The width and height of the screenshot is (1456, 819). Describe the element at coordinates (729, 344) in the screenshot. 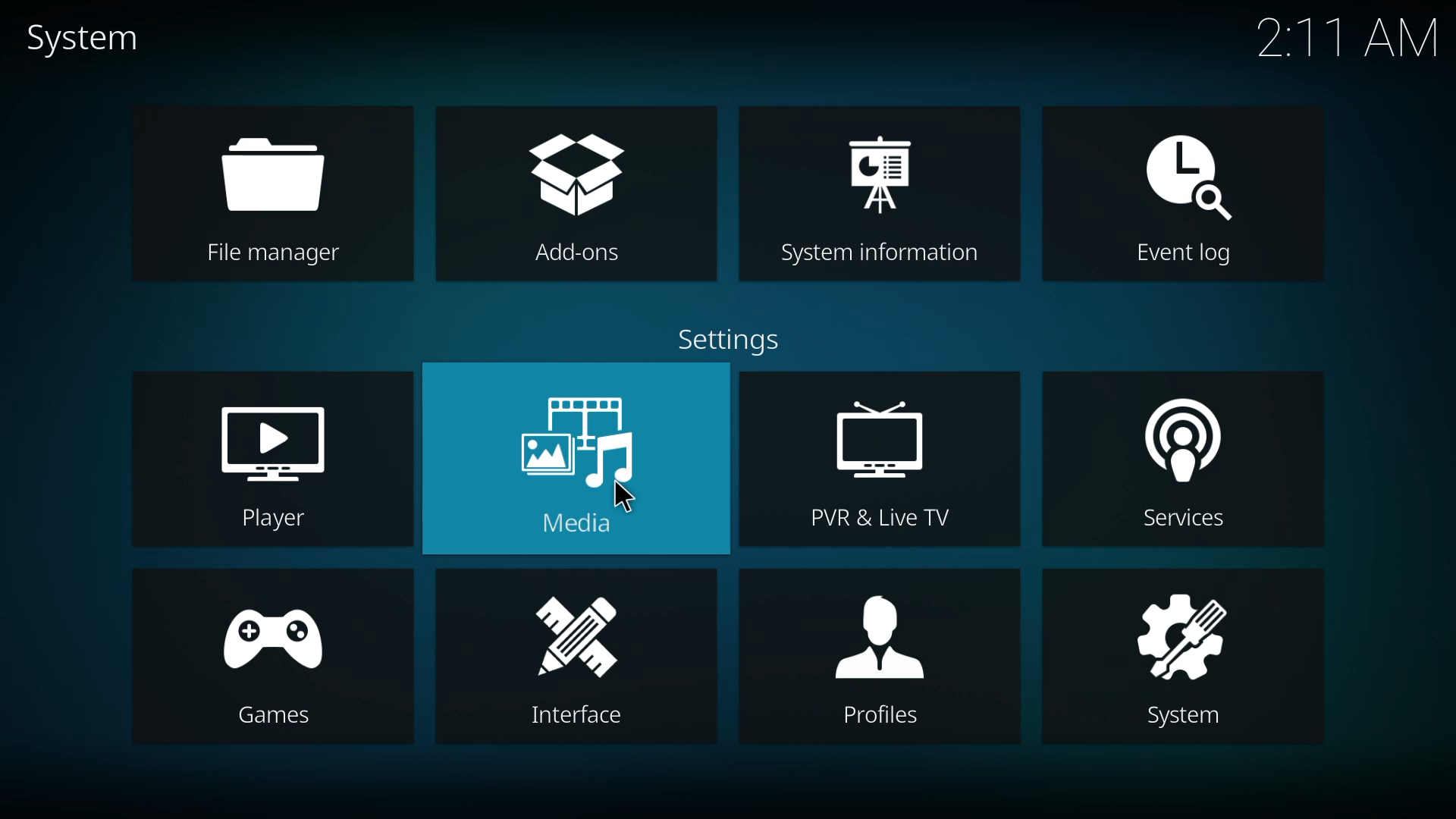

I see `settings` at that location.